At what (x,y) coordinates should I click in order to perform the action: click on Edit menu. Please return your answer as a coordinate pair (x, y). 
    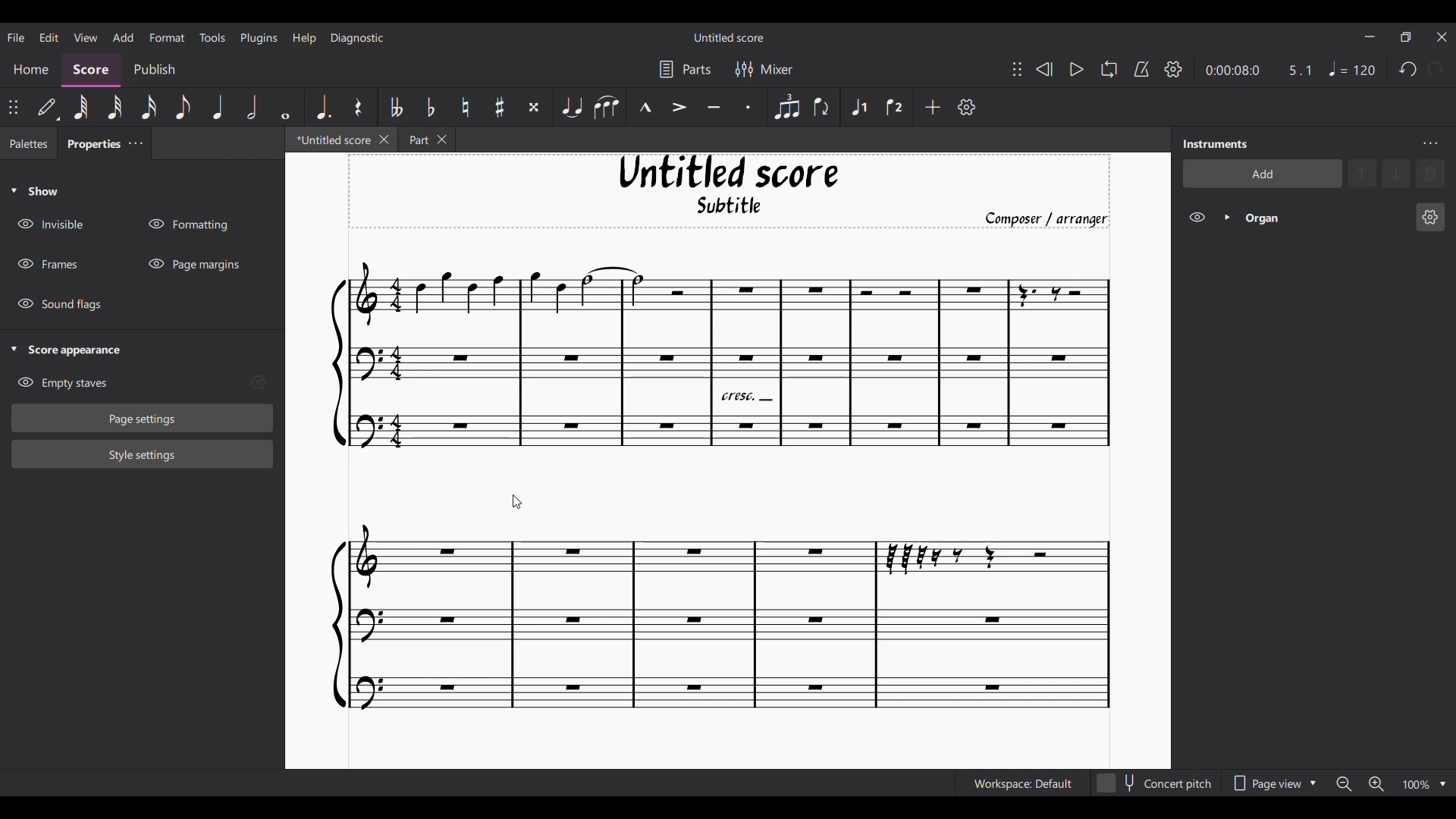
    Looking at the image, I should click on (49, 36).